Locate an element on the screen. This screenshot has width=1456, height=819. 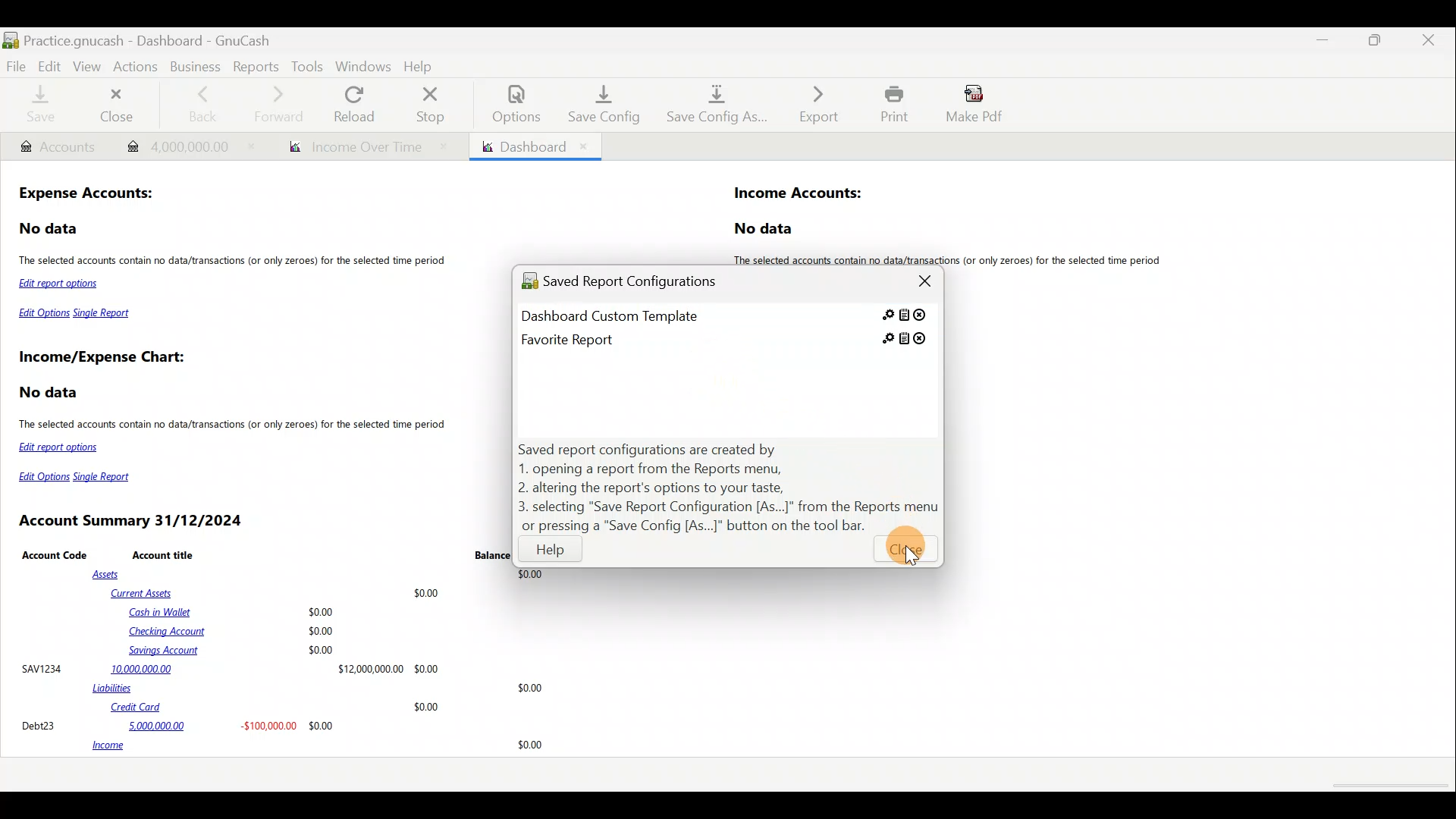
Income Accounts: is located at coordinates (799, 194).